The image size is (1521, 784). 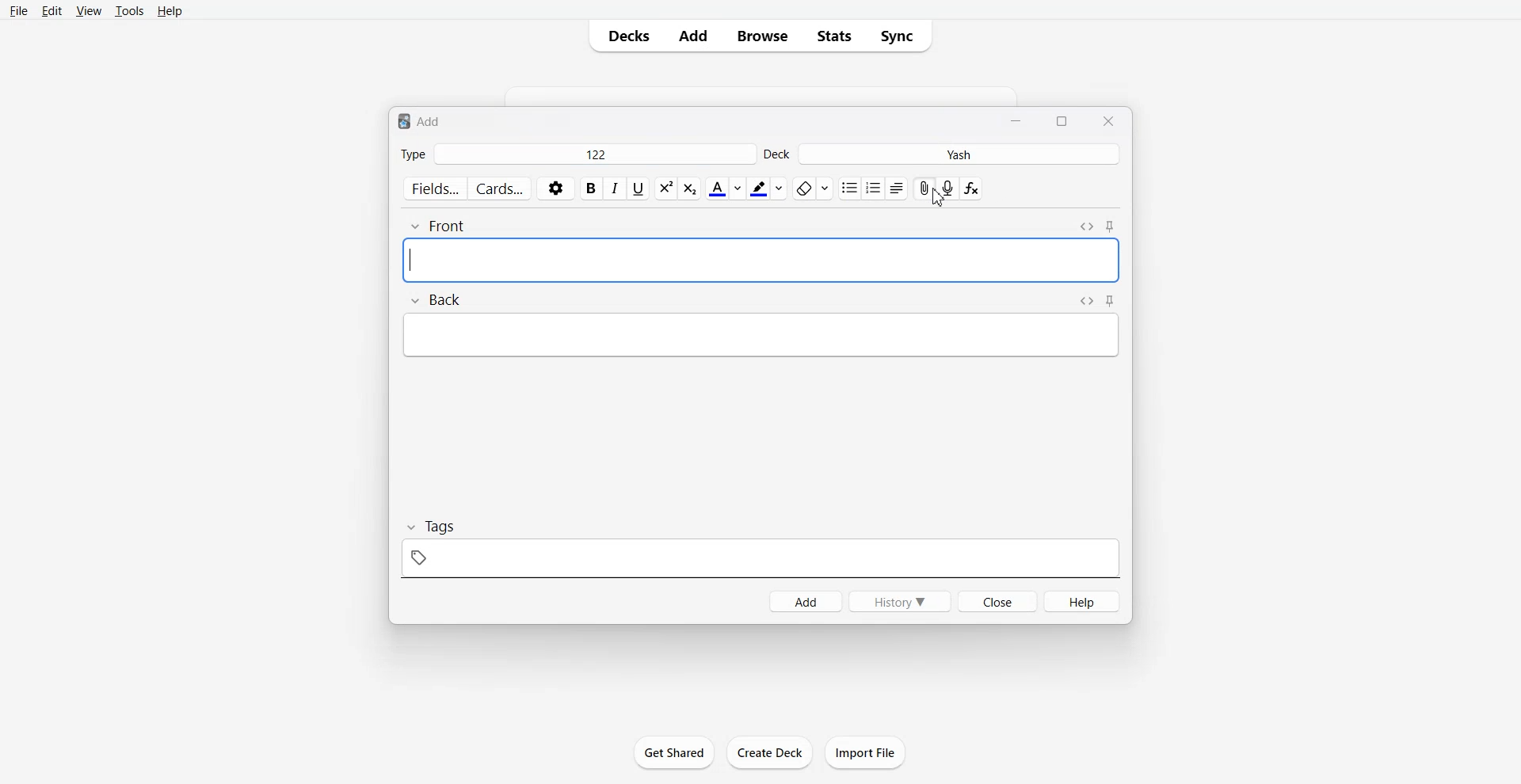 What do you see at coordinates (760, 559) in the screenshot?
I see `Tag symbol` at bounding box center [760, 559].